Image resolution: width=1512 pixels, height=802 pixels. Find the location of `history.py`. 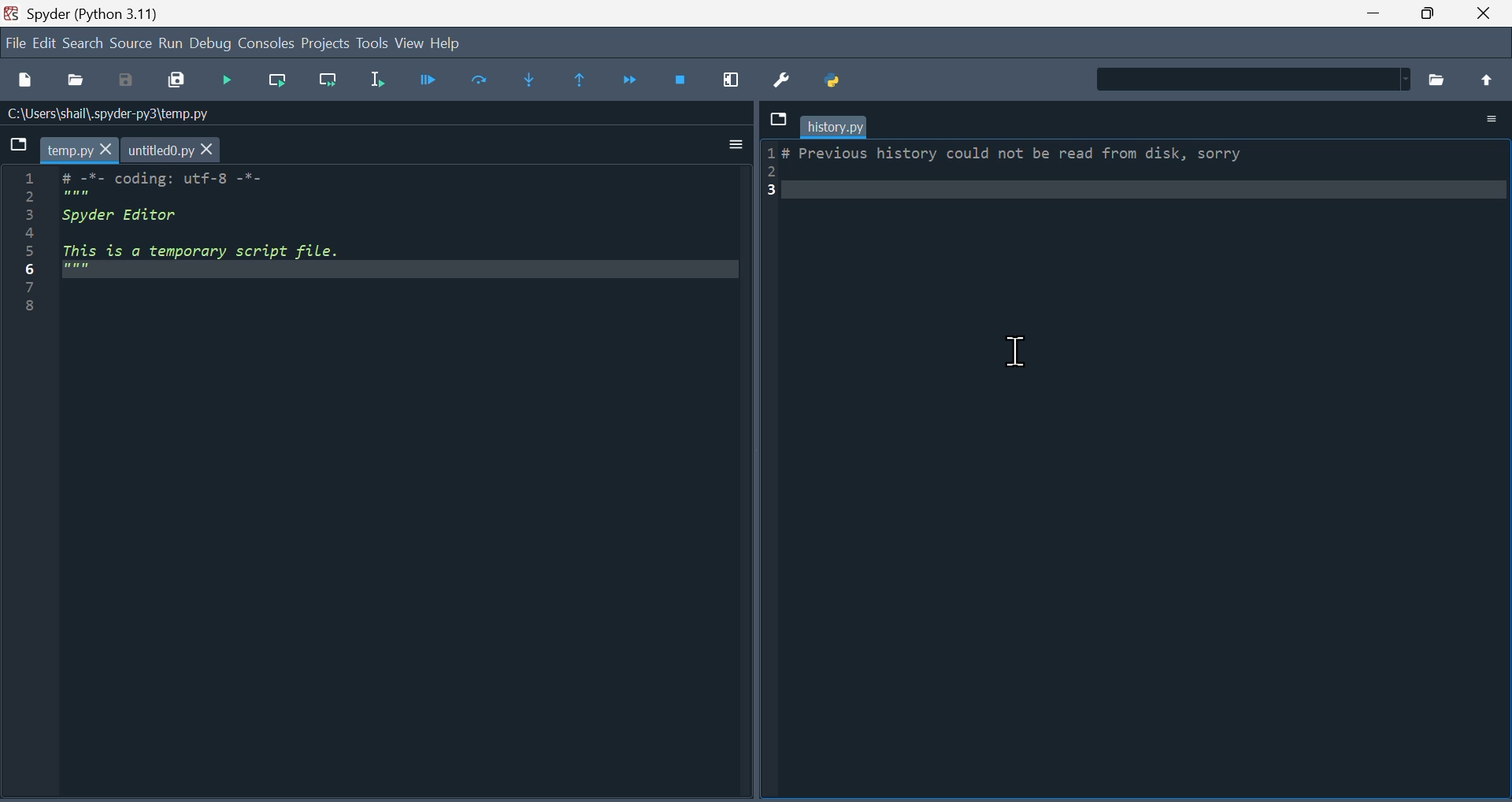

history.py is located at coordinates (834, 127).